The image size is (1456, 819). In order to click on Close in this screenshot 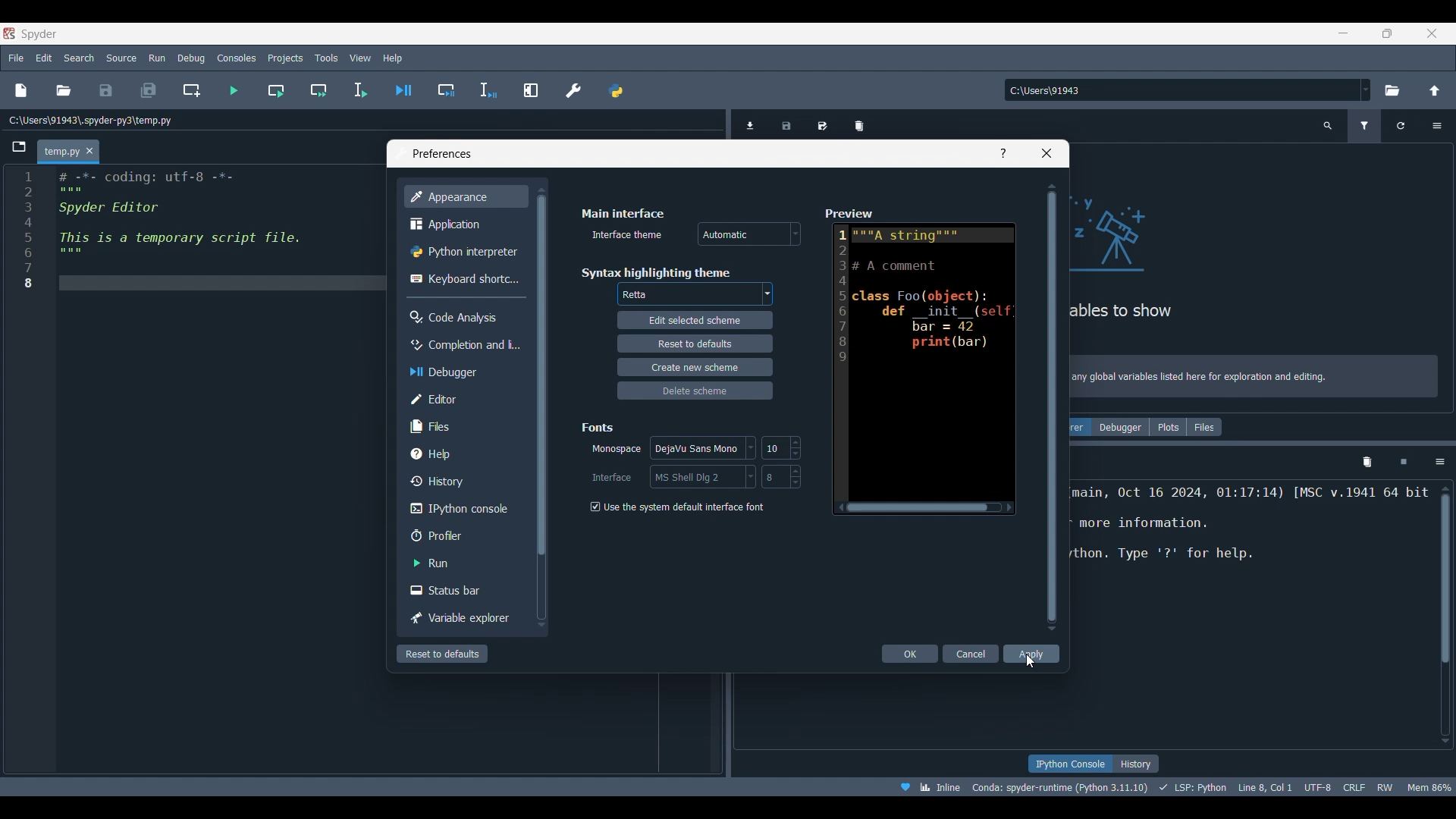, I will do `click(1046, 153)`.